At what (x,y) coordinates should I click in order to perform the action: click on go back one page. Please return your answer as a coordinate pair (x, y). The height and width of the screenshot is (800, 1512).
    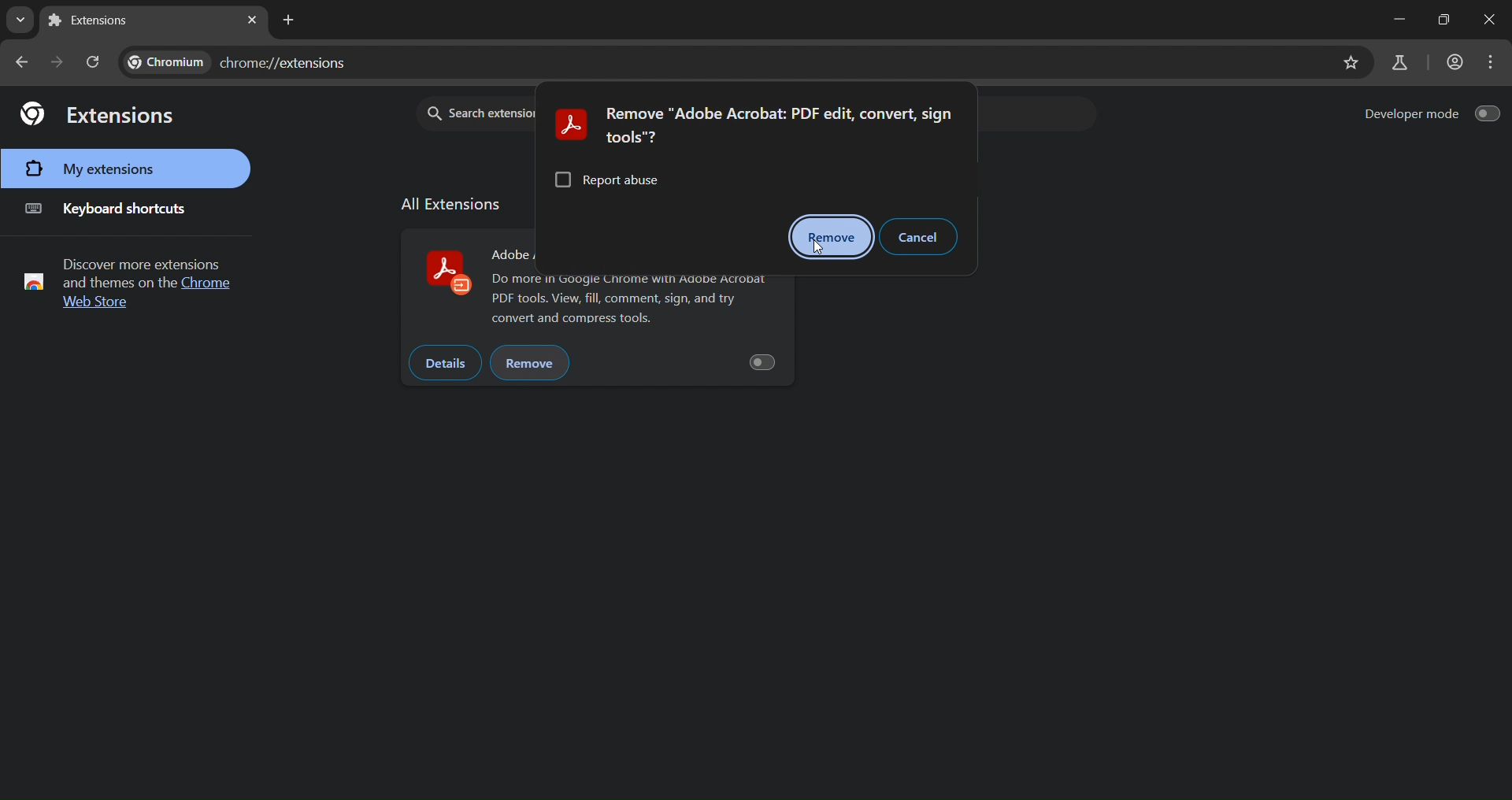
    Looking at the image, I should click on (20, 61).